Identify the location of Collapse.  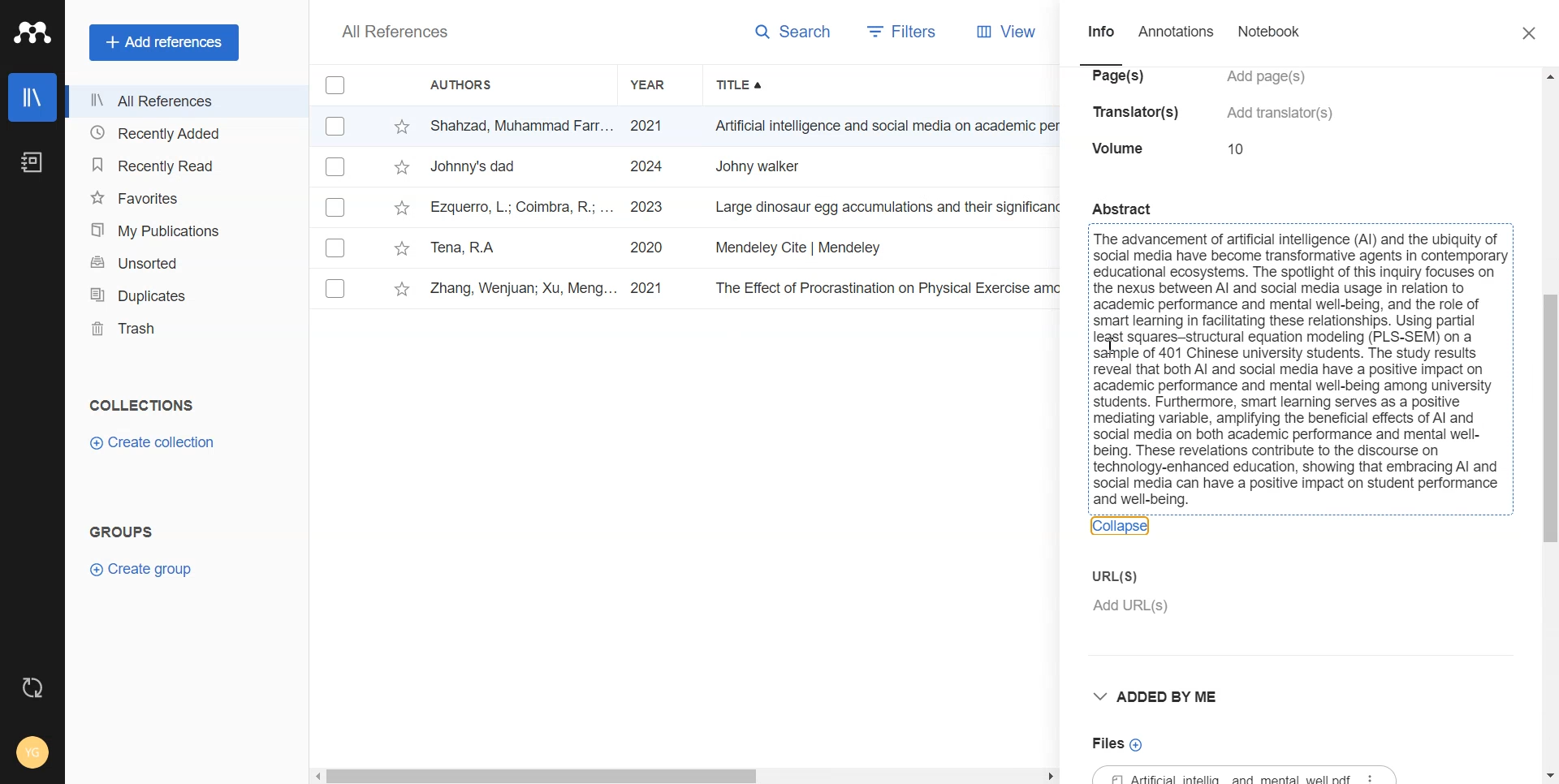
(1125, 527).